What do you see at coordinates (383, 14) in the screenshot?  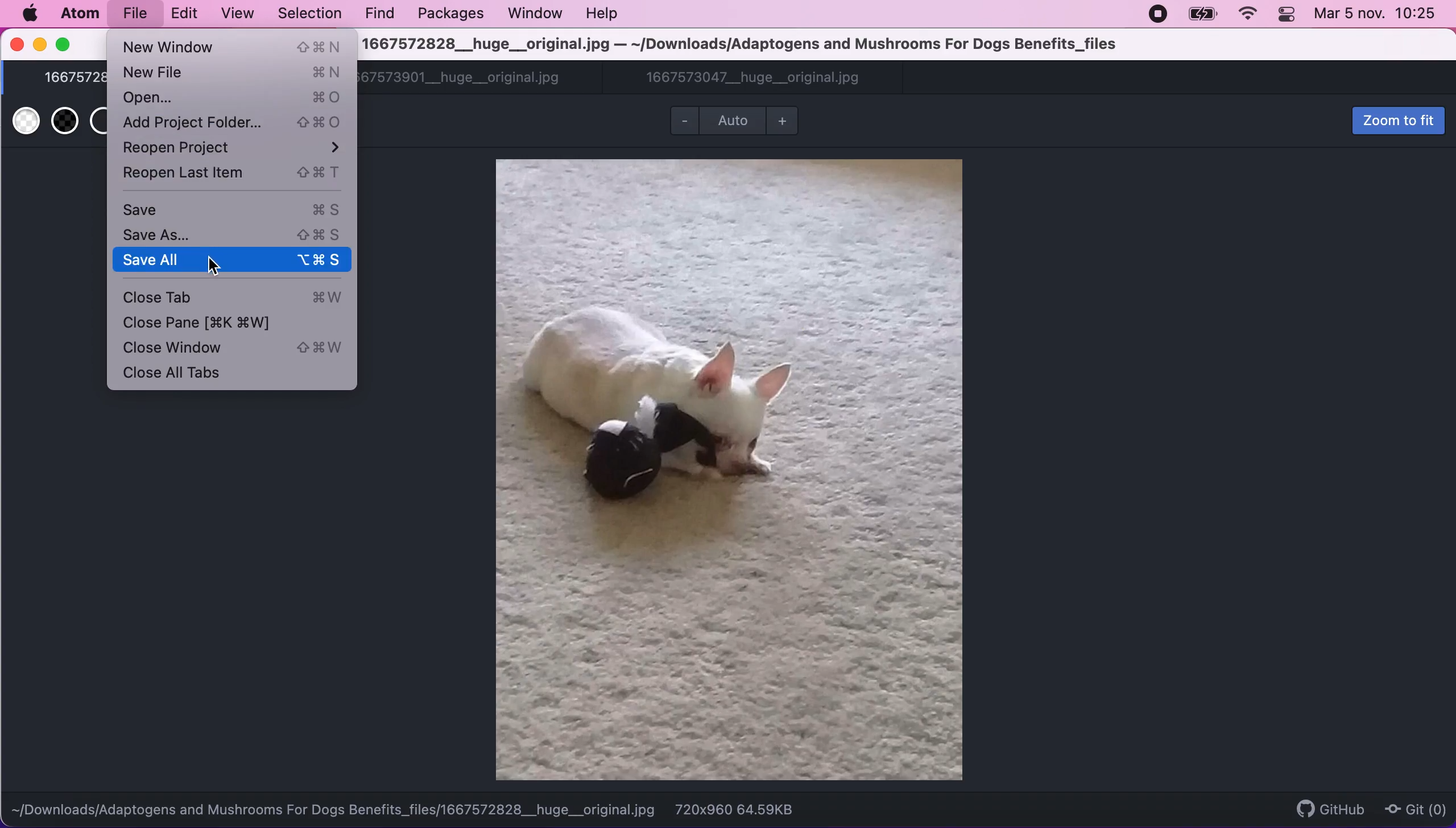 I see `find` at bounding box center [383, 14].